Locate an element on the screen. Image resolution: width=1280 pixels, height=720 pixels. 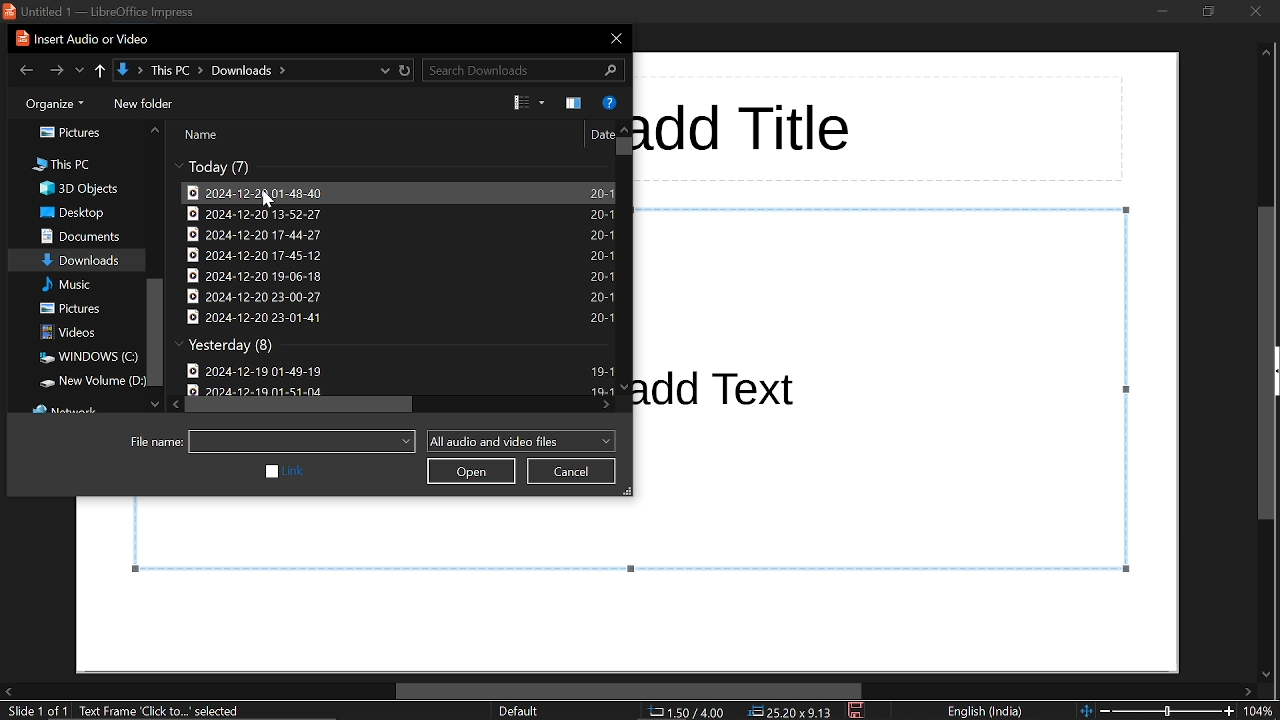
close is located at coordinates (614, 37).